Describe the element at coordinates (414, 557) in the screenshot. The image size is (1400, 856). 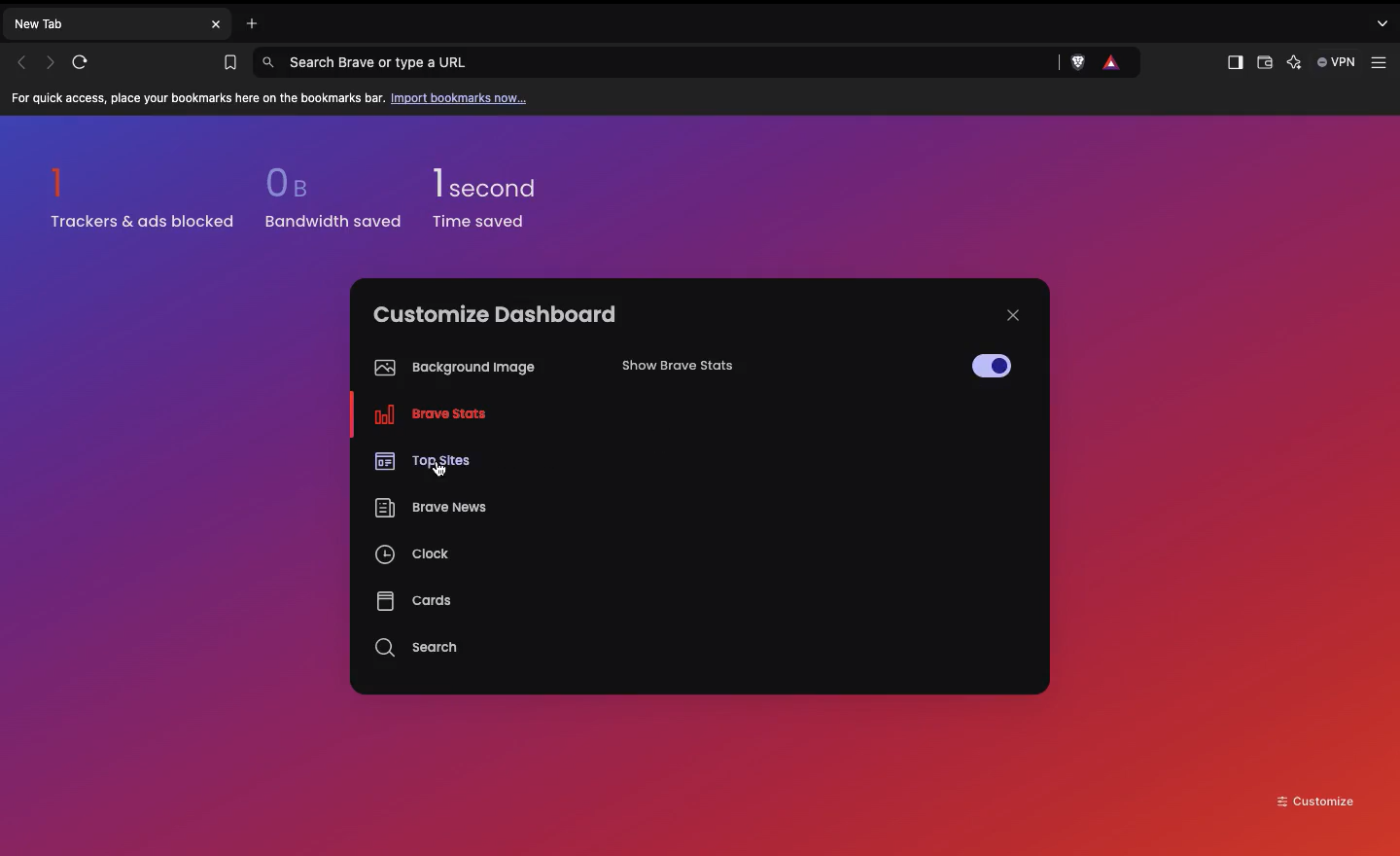
I see `Clock` at that location.